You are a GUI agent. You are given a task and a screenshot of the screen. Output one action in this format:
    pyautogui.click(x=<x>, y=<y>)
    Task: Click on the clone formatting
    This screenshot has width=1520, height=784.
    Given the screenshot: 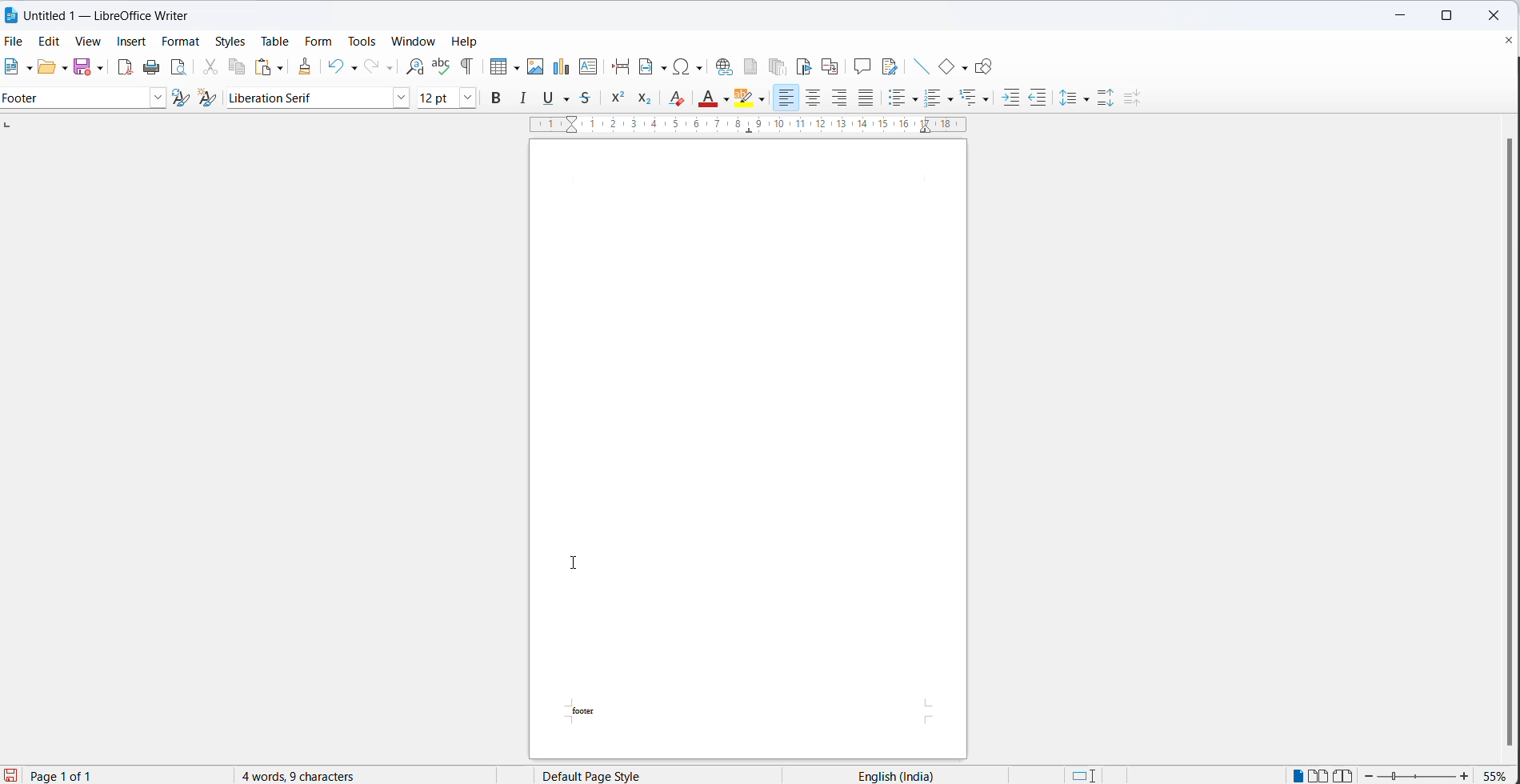 What is the action you would take?
    pyautogui.click(x=306, y=66)
    